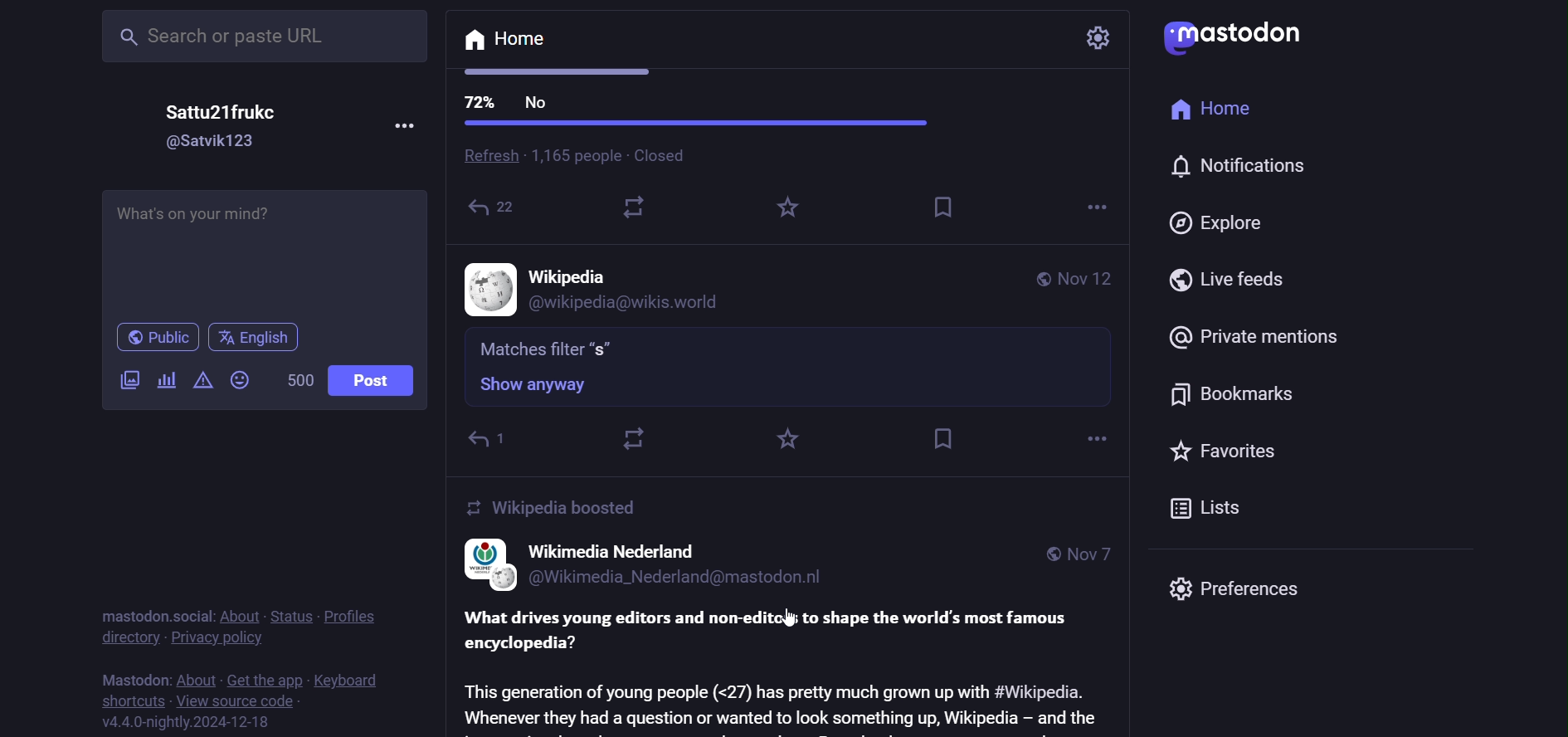  I want to click on home, so click(1226, 111).